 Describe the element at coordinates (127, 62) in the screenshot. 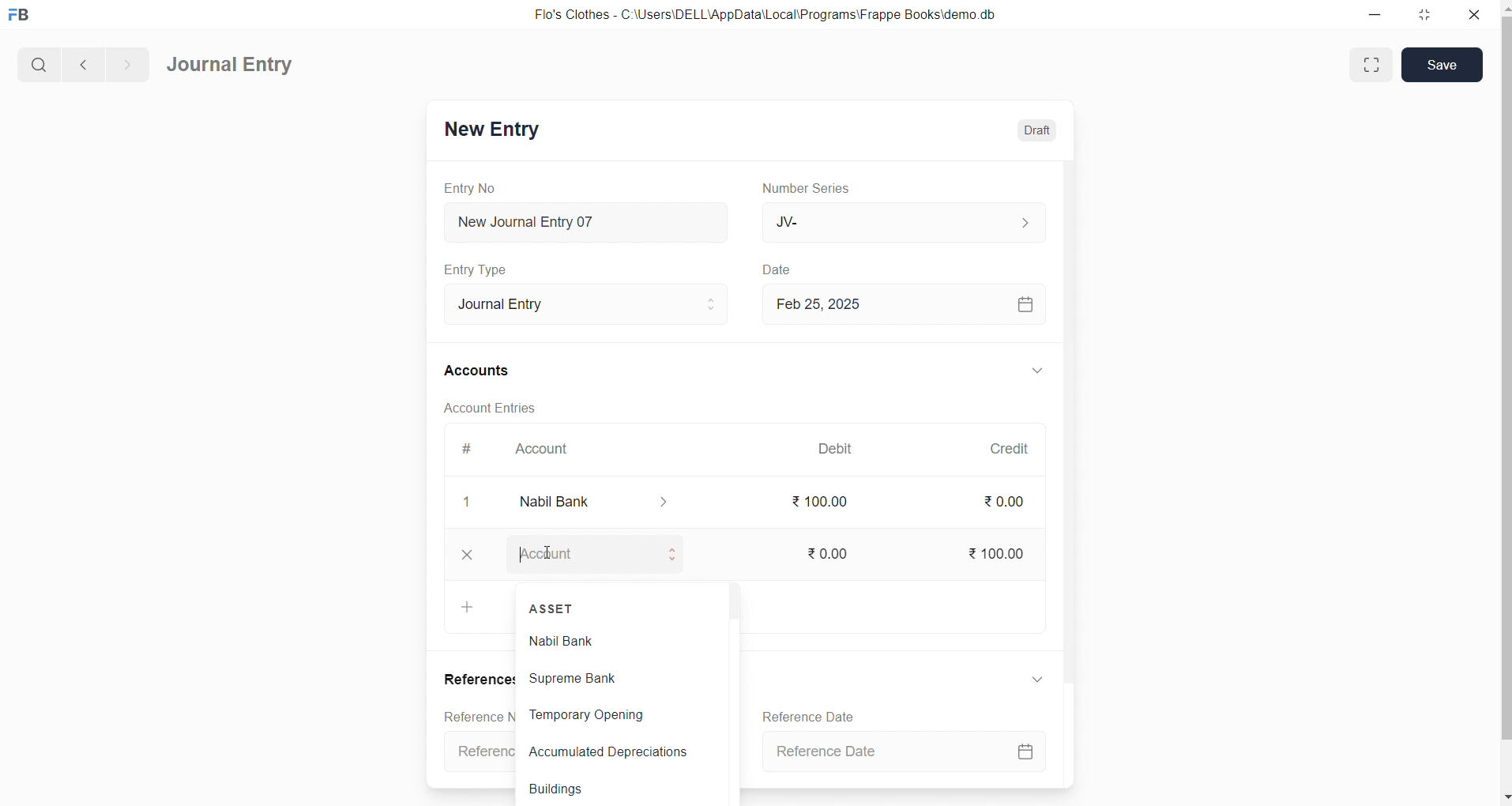

I see `navigate forward` at that location.